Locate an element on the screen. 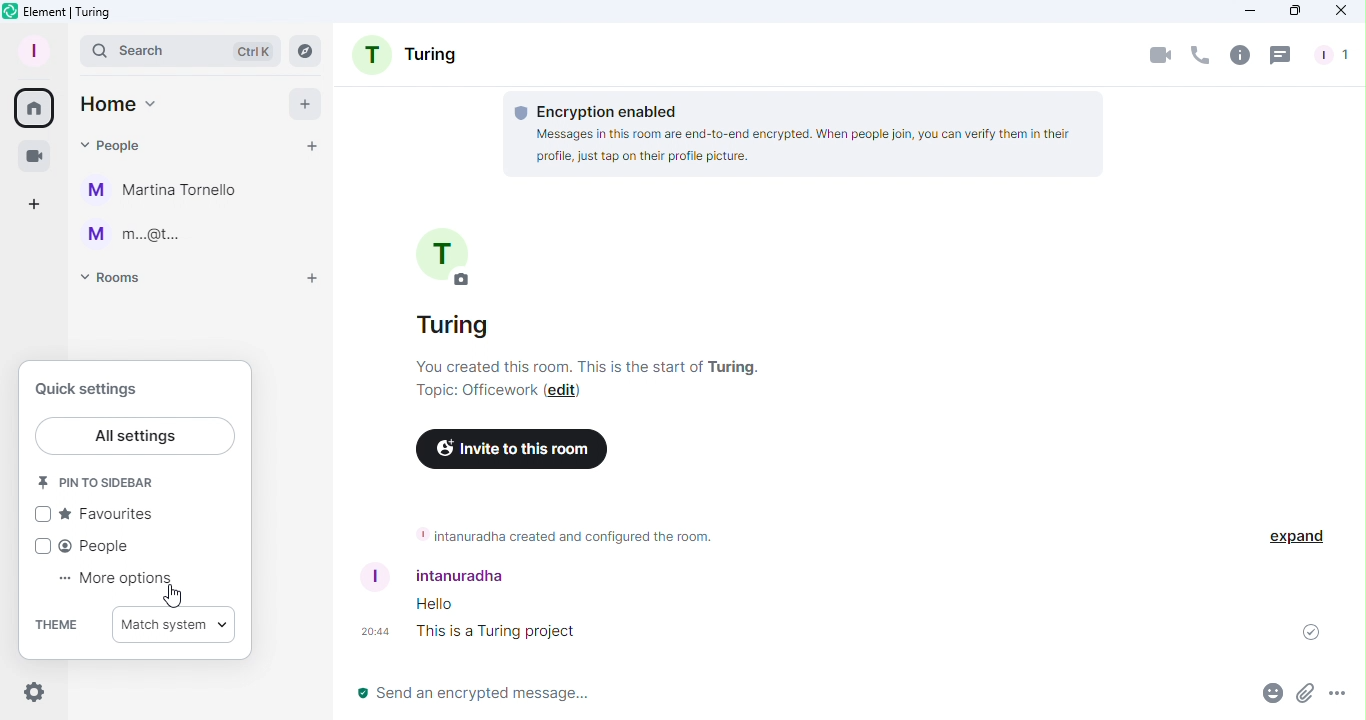  Search bar is located at coordinates (179, 49).